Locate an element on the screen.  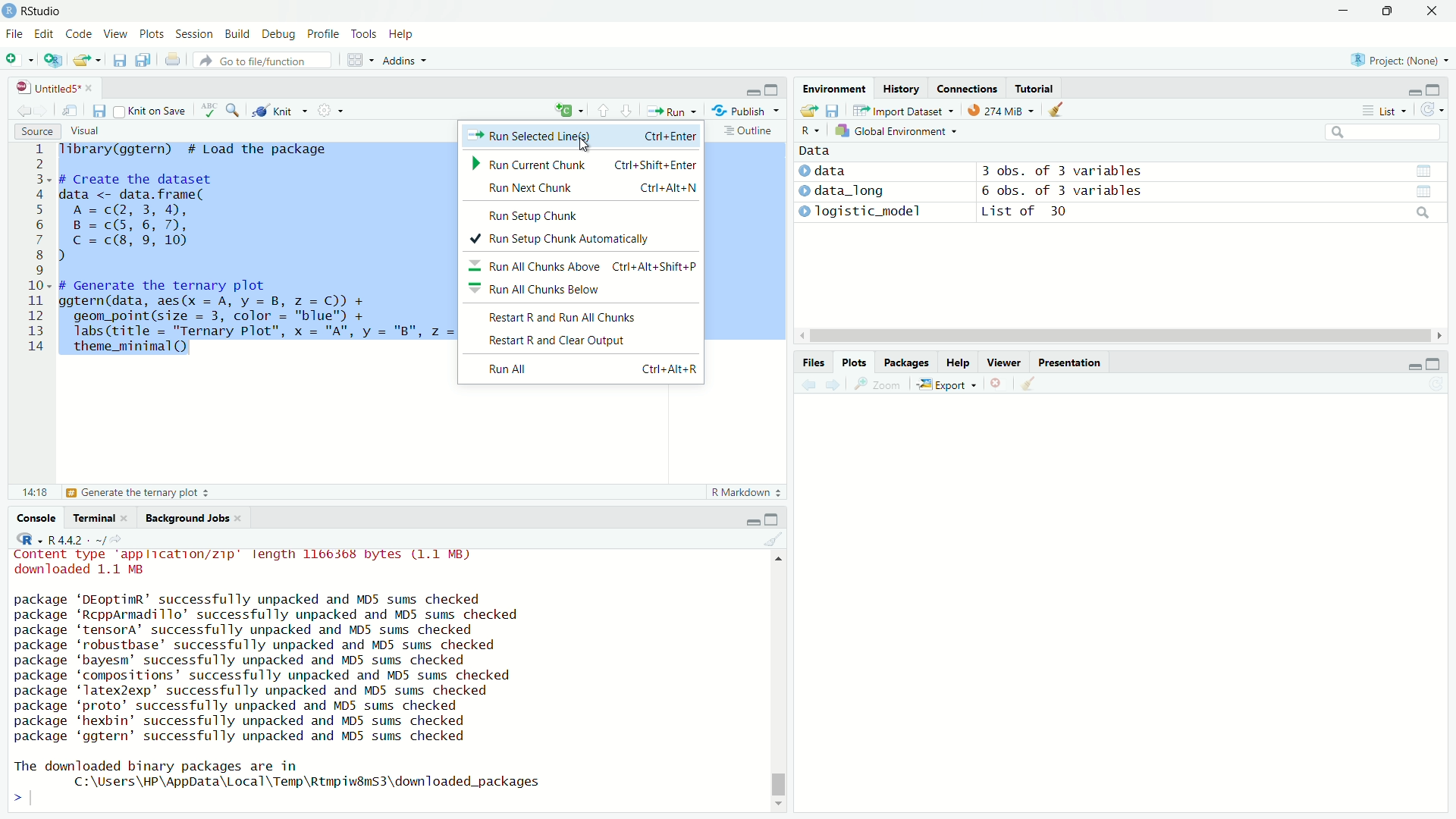
Run Next Chunk Ctrl+Alt+N is located at coordinates (593, 187).